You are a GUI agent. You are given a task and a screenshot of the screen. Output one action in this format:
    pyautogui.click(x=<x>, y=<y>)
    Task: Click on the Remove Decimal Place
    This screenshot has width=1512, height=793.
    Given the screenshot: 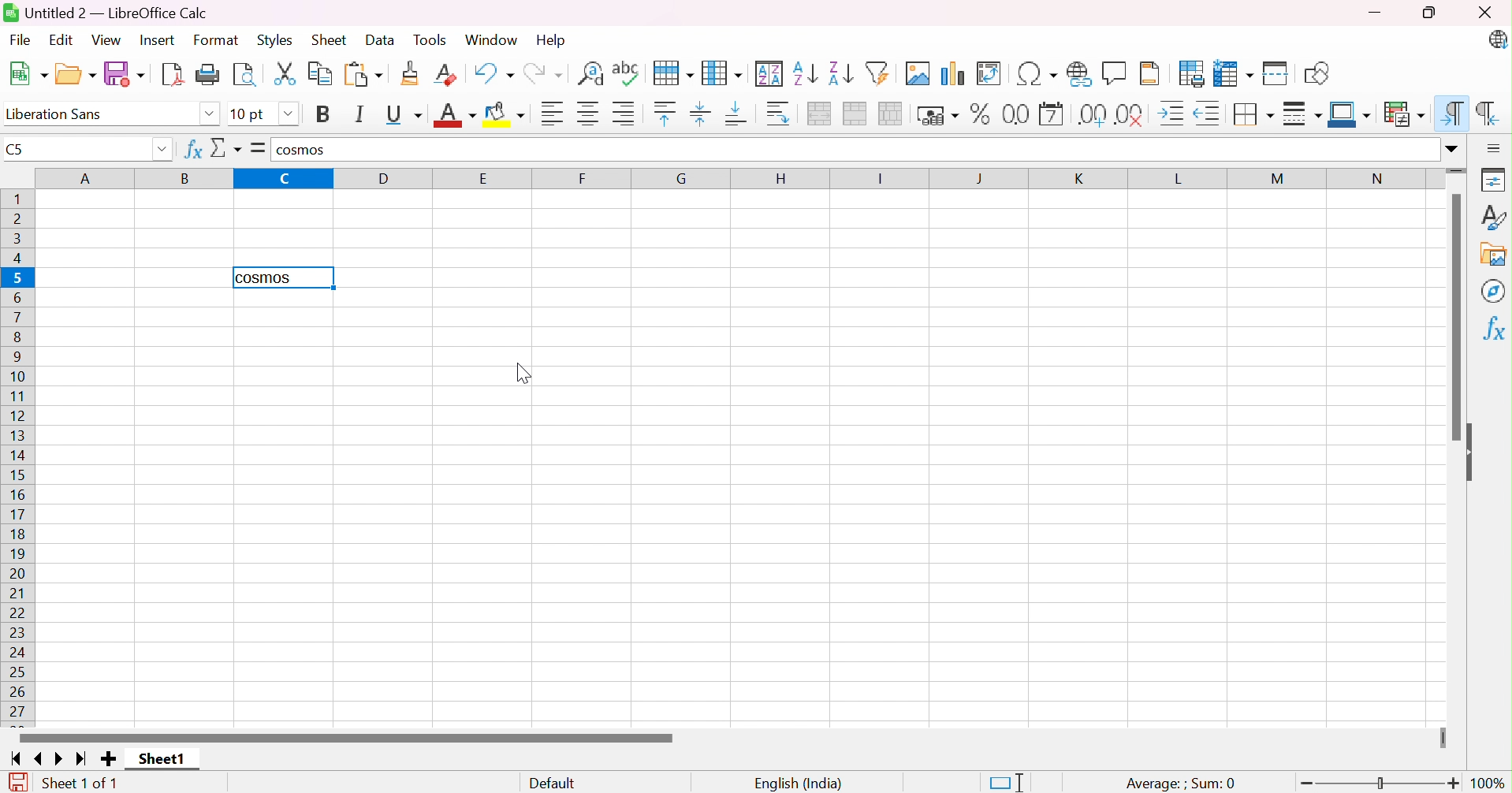 What is the action you would take?
    pyautogui.click(x=1130, y=115)
    